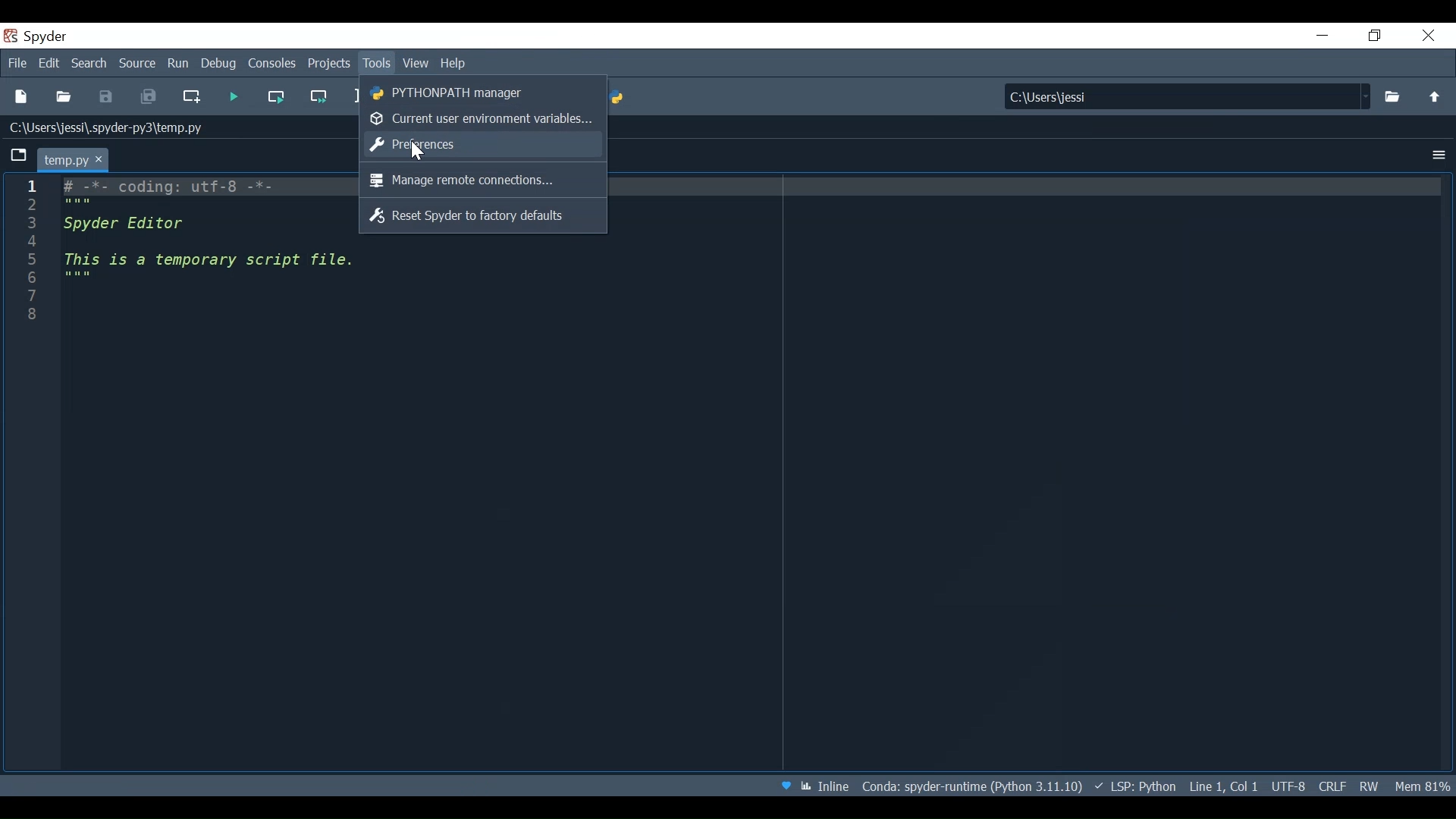 The image size is (1456, 819). Describe the element at coordinates (24, 98) in the screenshot. I see `New File` at that location.